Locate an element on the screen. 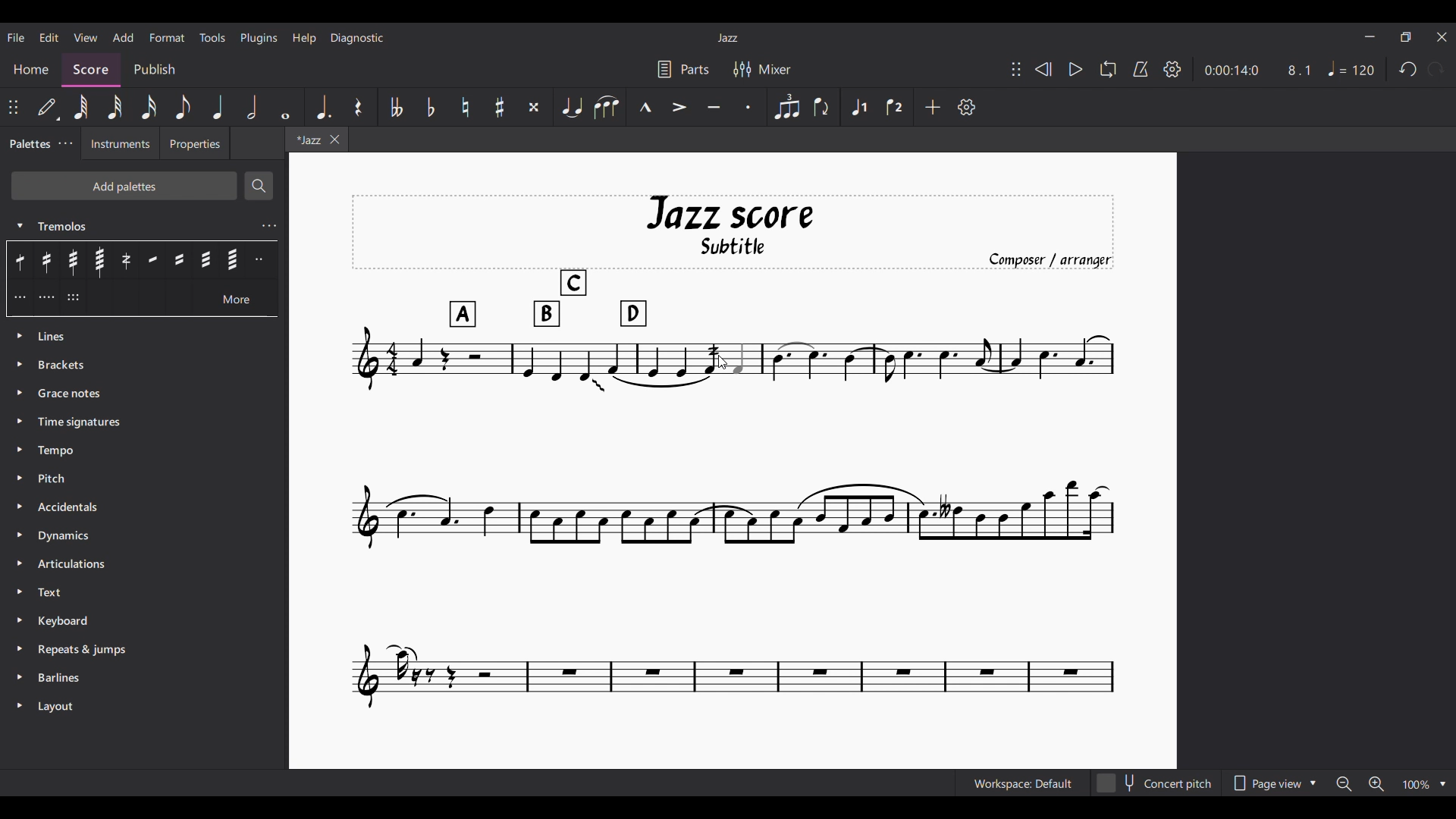  Text is located at coordinates (142, 591).